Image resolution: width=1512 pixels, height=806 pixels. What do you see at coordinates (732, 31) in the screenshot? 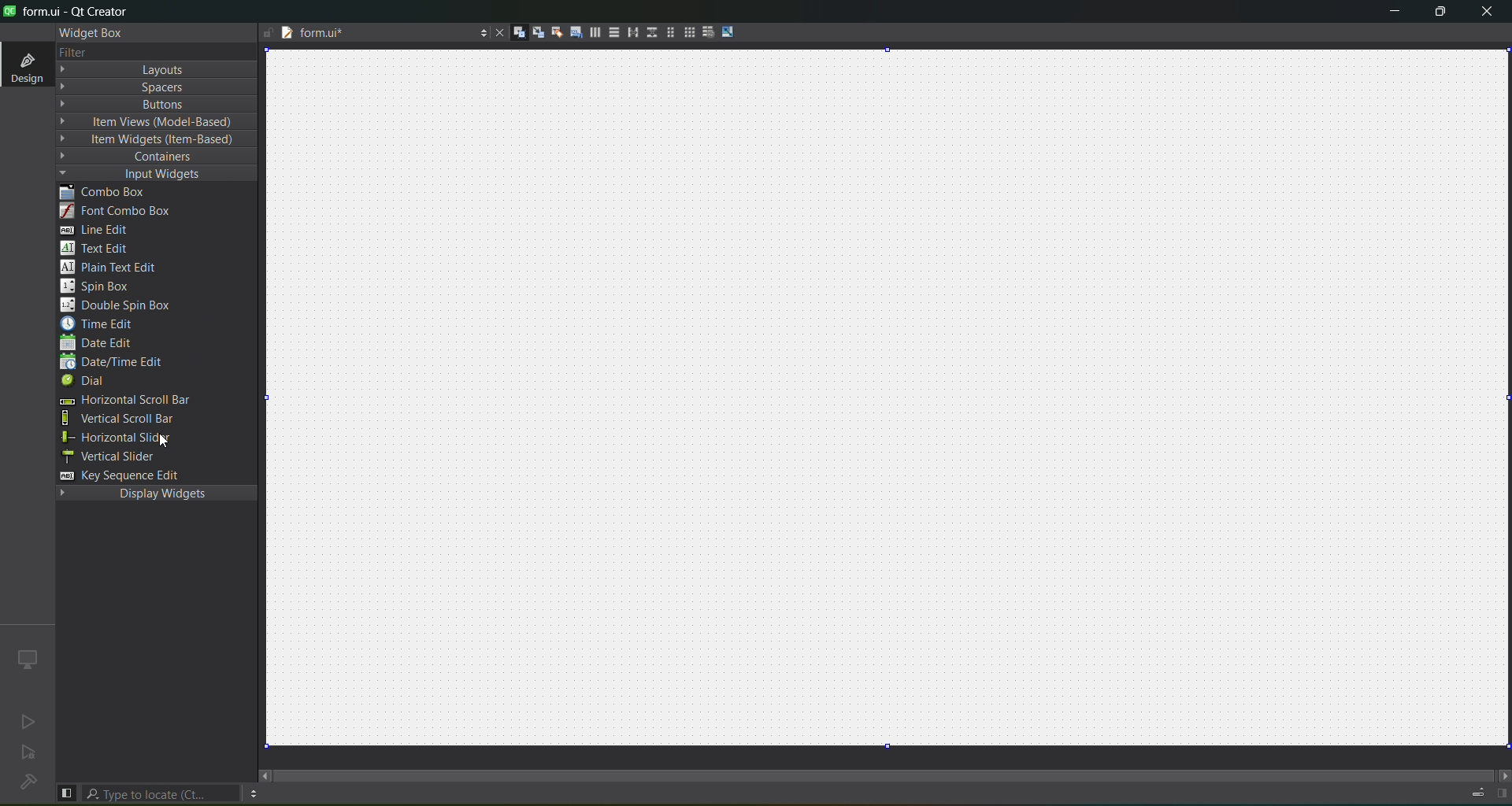
I see `adjust size` at bounding box center [732, 31].